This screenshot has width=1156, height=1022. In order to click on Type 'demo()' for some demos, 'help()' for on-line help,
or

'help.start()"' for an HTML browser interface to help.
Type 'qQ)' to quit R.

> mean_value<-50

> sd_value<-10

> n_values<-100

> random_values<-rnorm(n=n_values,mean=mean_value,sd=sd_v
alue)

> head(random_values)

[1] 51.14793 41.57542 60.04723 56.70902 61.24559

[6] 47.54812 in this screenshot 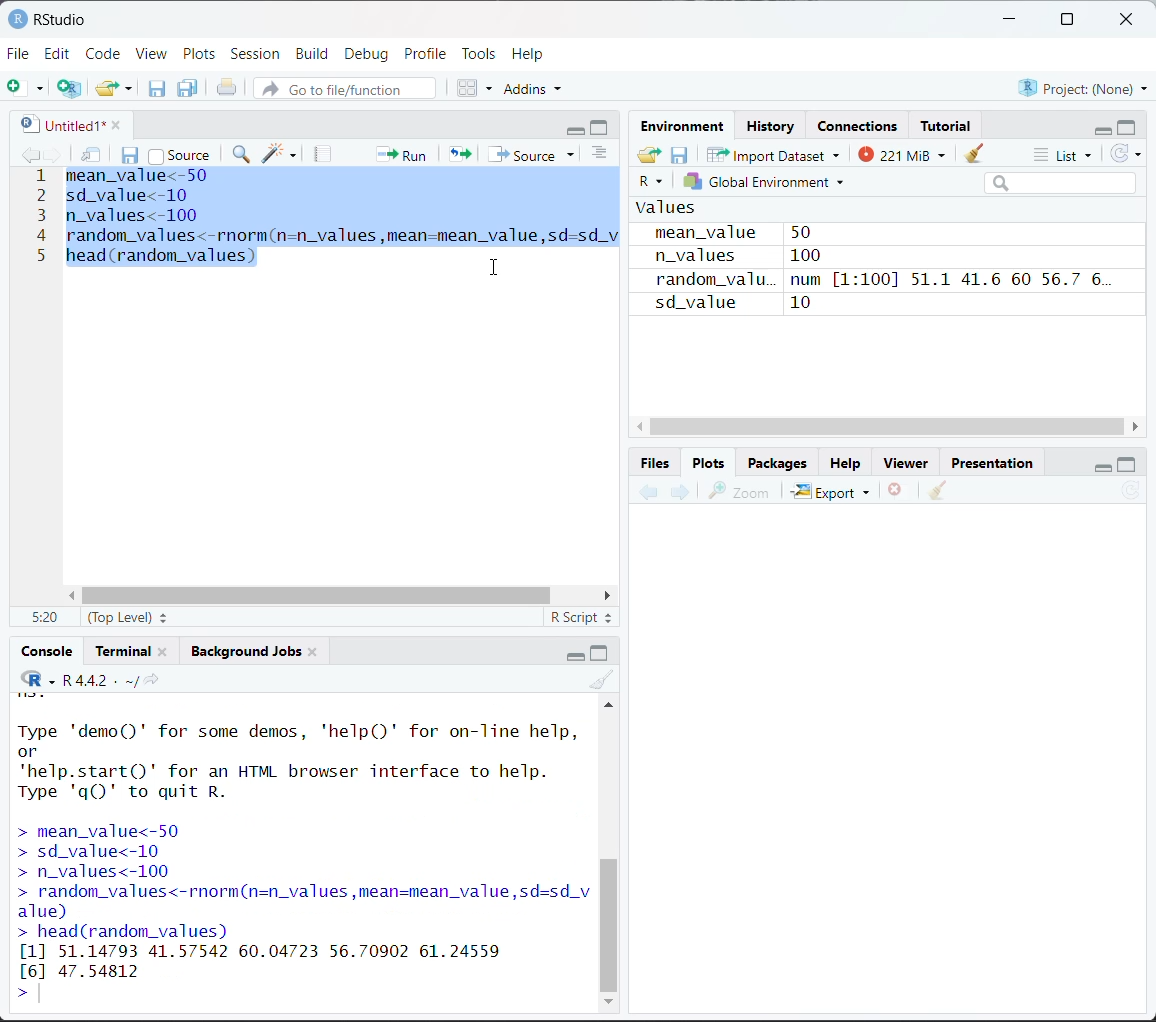, I will do `click(304, 850)`.